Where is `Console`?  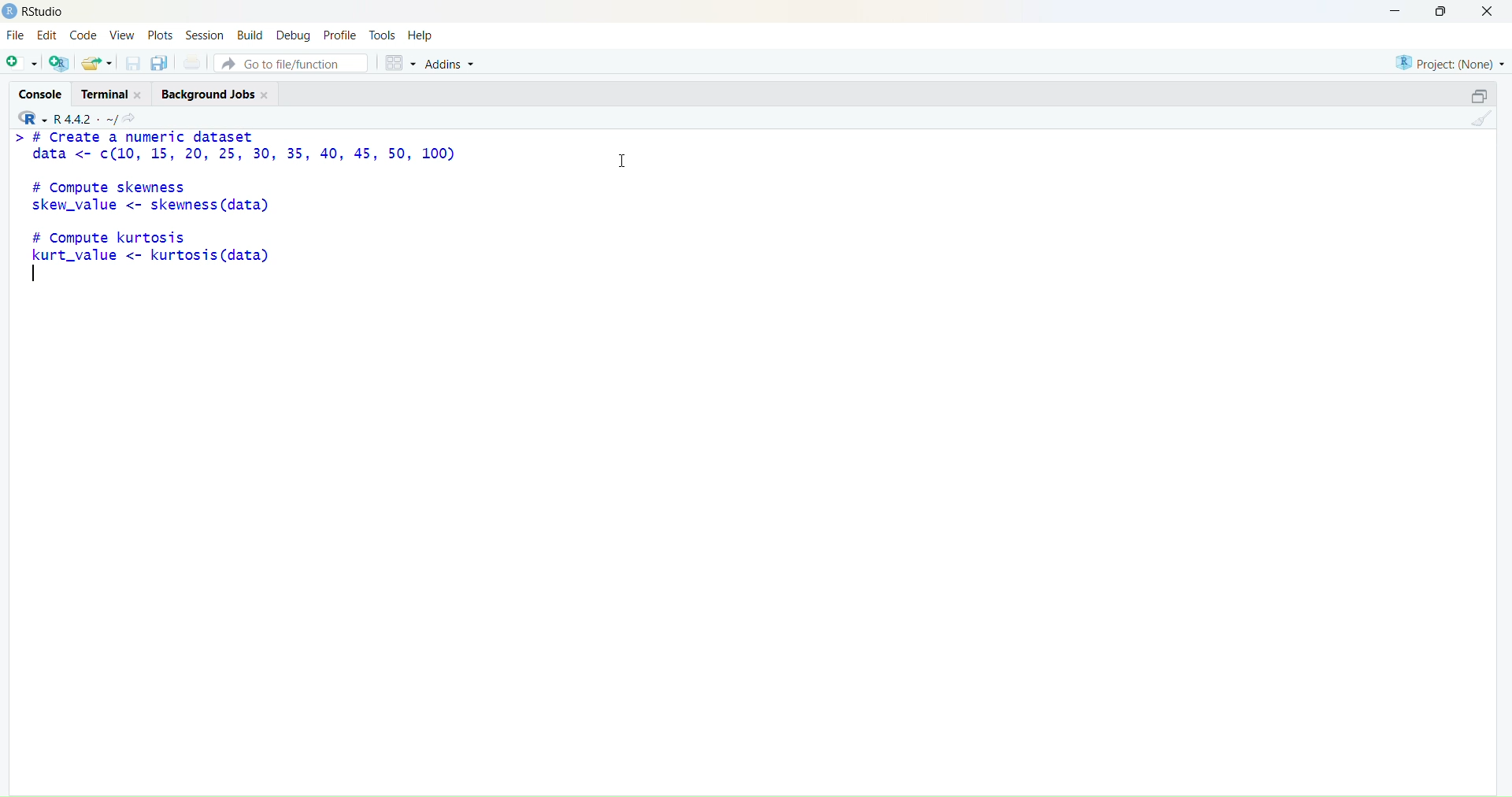 Console is located at coordinates (40, 94).